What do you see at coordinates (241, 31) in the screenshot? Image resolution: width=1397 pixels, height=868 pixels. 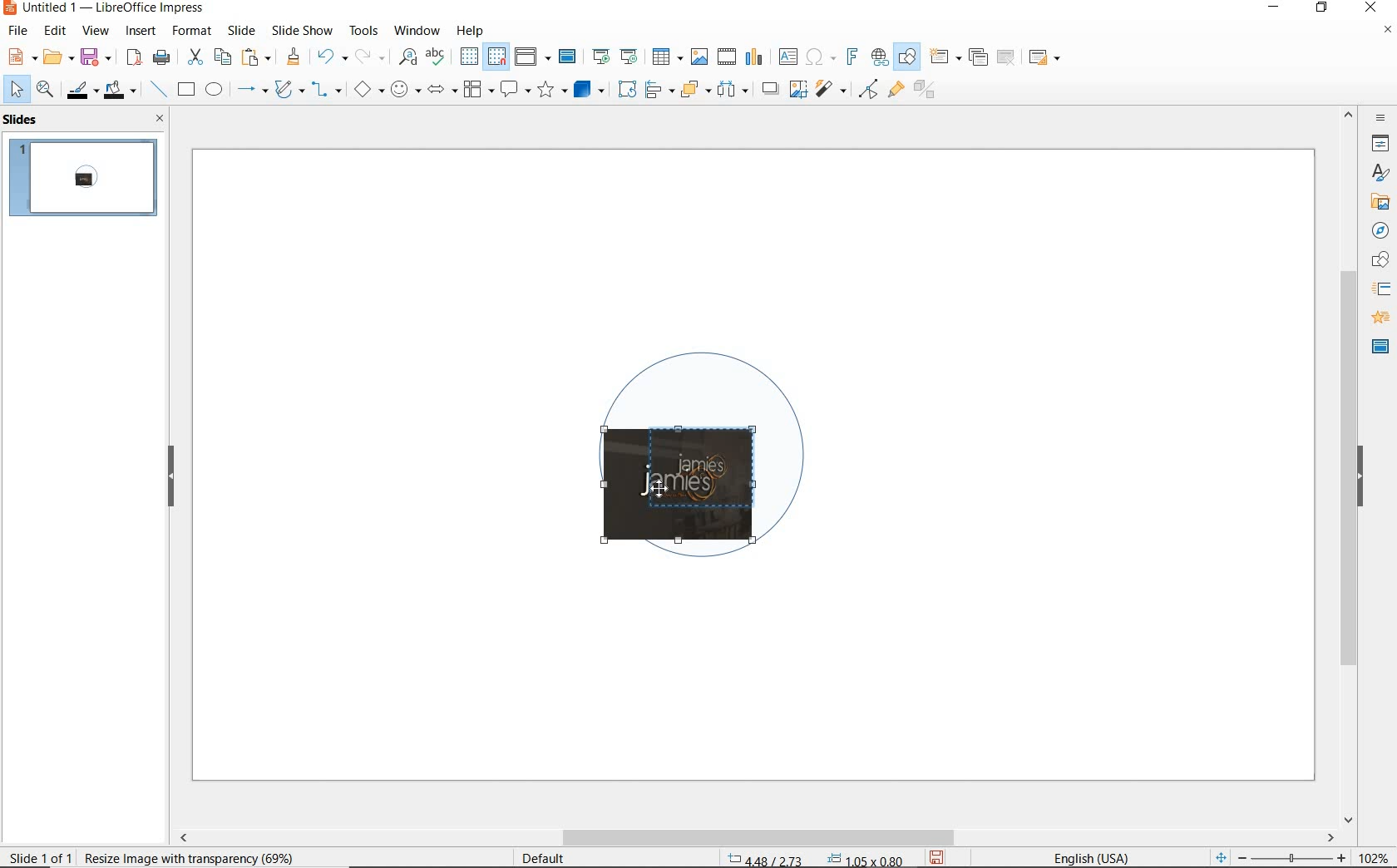 I see `slide` at bounding box center [241, 31].